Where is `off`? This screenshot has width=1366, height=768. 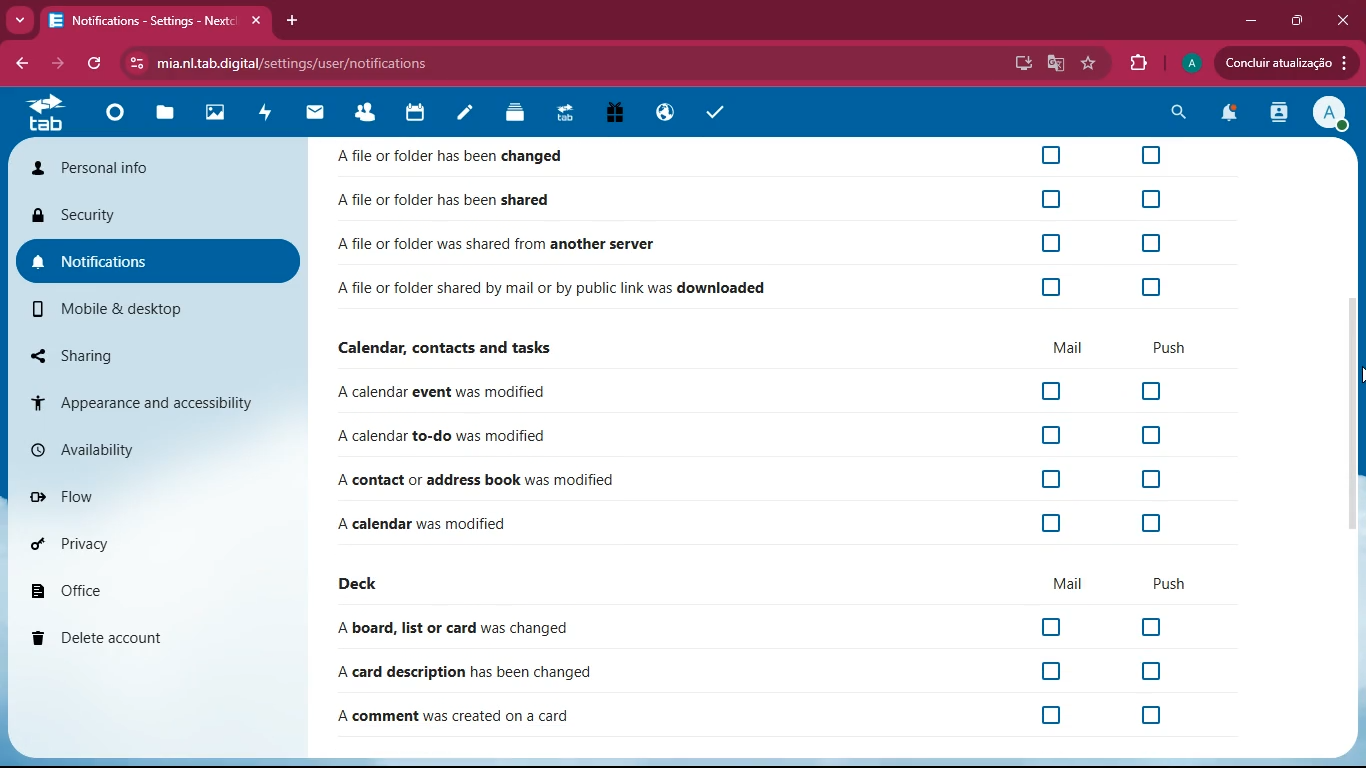 off is located at coordinates (1047, 481).